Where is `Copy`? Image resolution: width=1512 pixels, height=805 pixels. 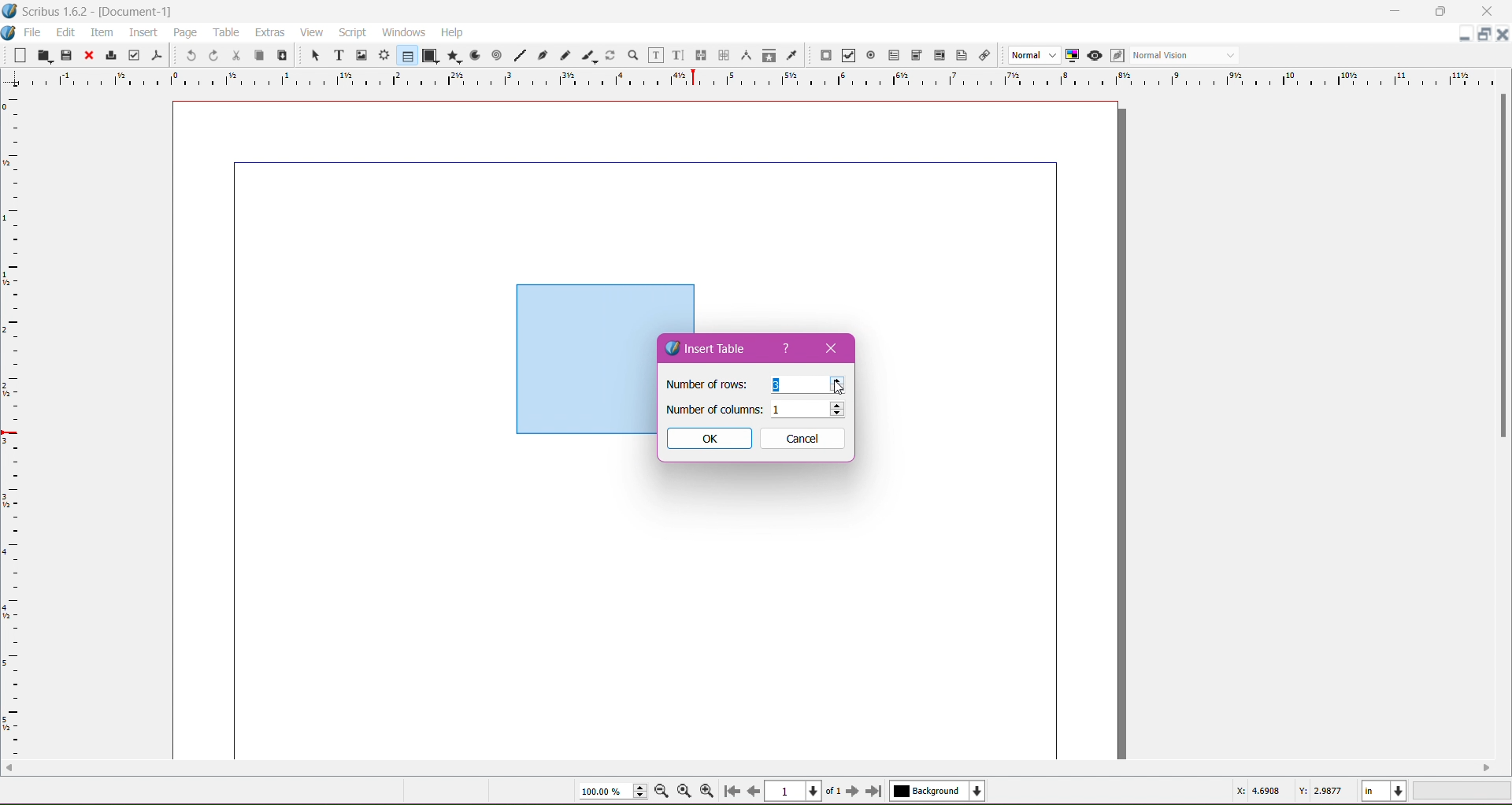 Copy is located at coordinates (257, 54).